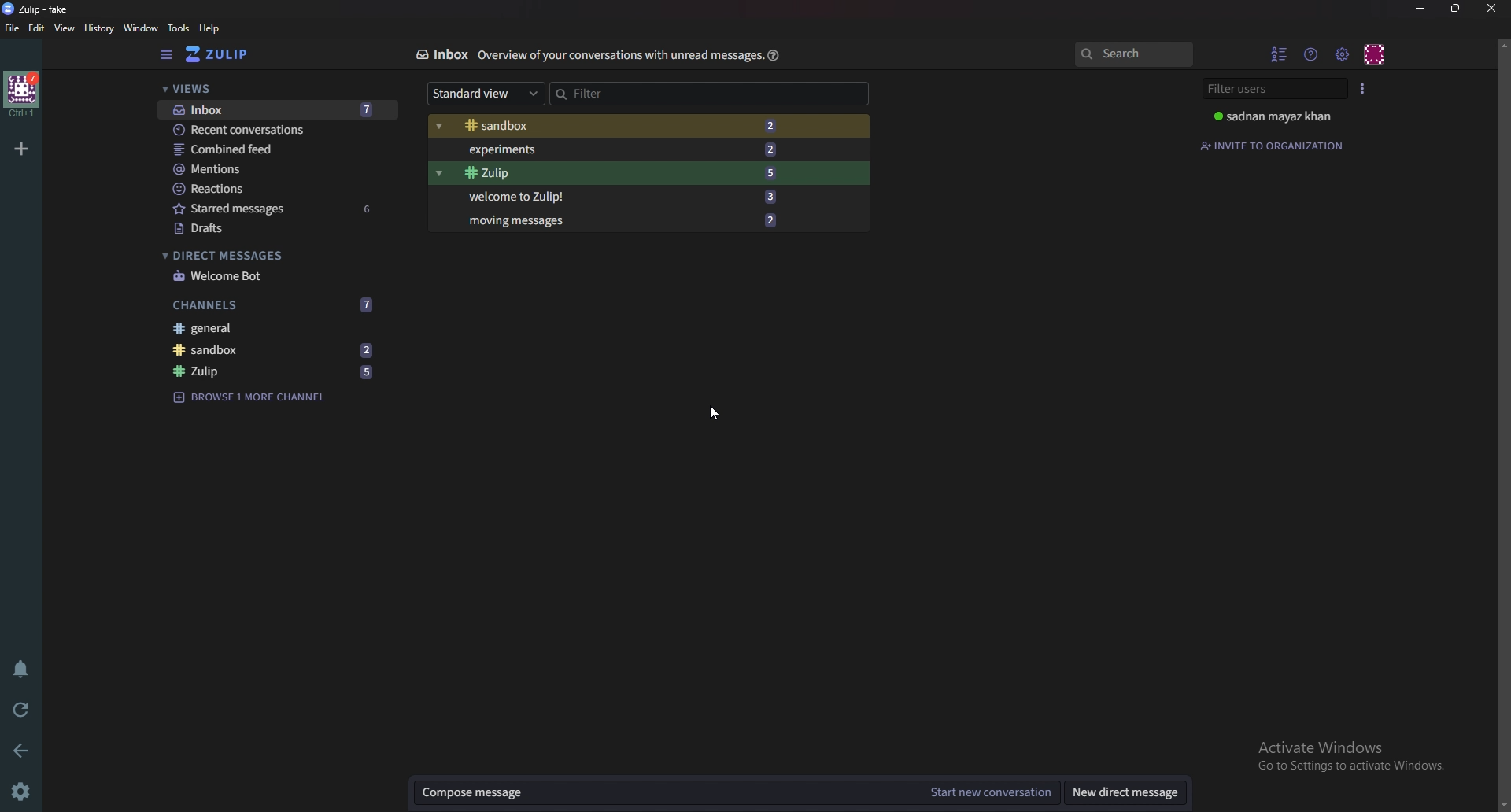 Image resolution: width=1511 pixels, height=812 pixels. Describe the element at coordinates (272, 275) in the screenshot. I see `welcome bot` at that location.